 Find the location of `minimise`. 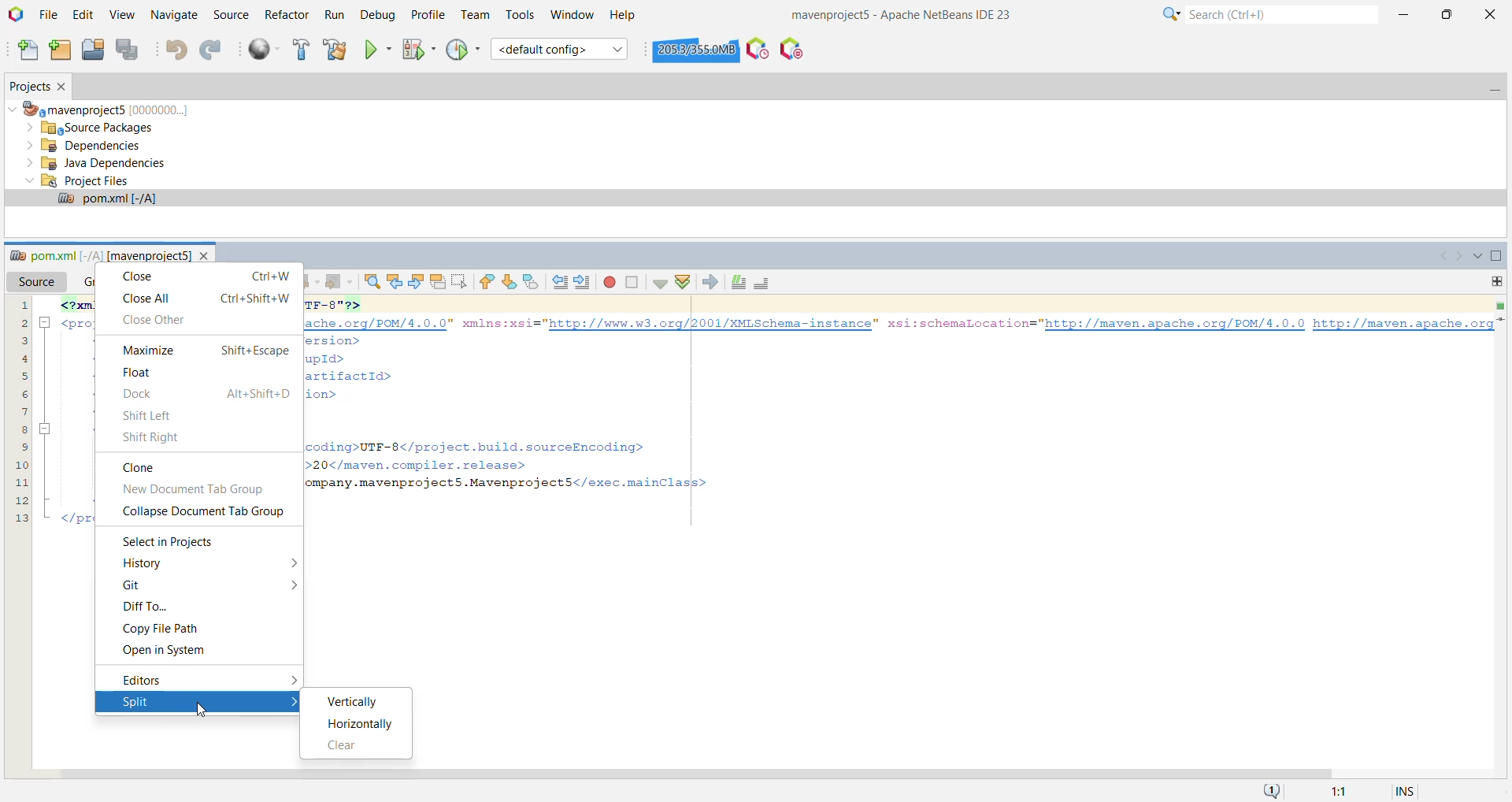

minimise is located at coordinates (46, 323).